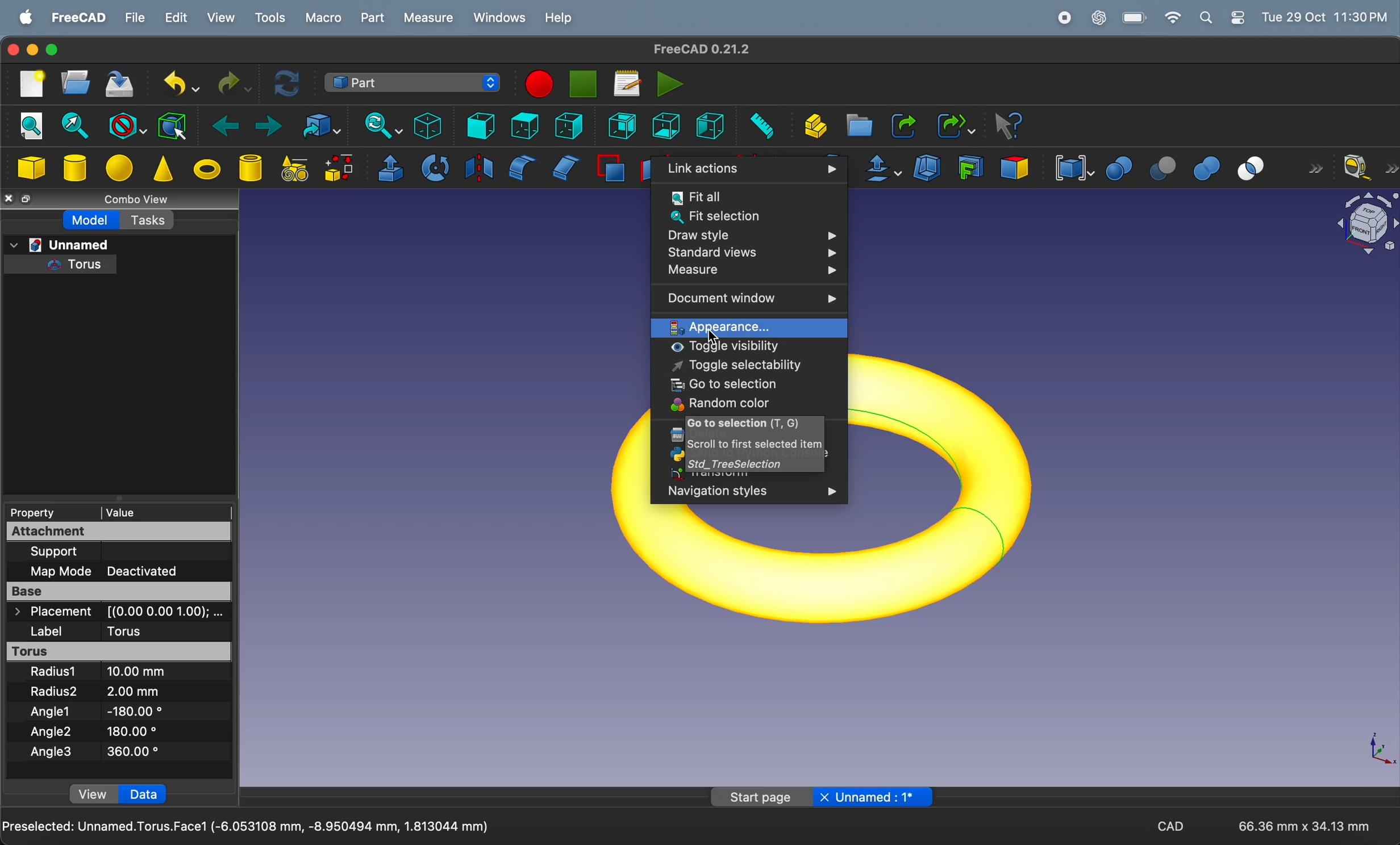 The image size is (1400, 845). What do you see at coordinates (74, 166) in the screenshot?
I see `cylinder` at bounding box center [74, 166].